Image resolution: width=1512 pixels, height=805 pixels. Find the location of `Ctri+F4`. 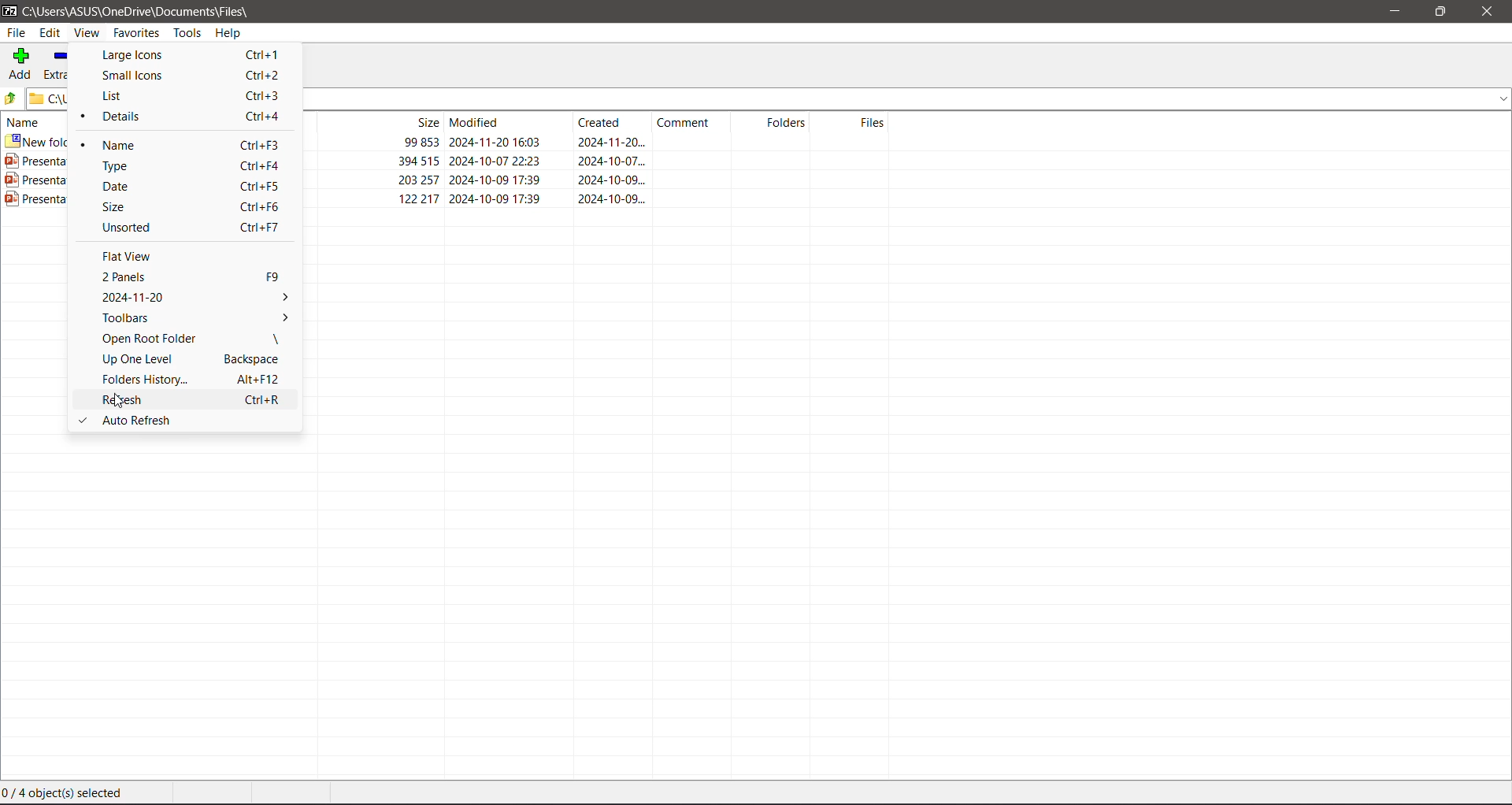

Ctri+F4 is located at coordinates (265, 165).